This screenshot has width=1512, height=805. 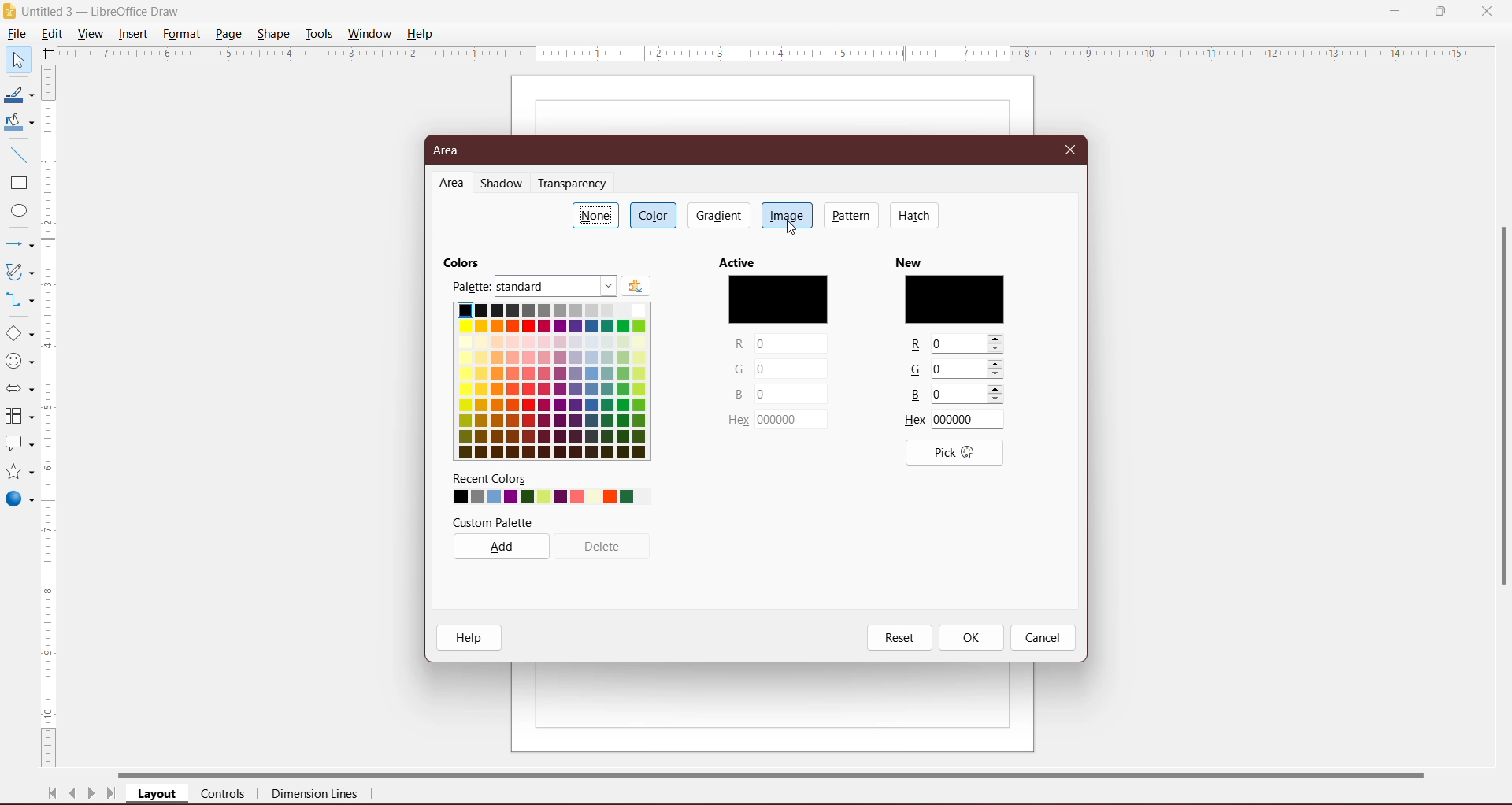 What do you see at coordinates (19, 334) in the screenshot?
I see `Basic Shapes` at bounding box center [19, 334].